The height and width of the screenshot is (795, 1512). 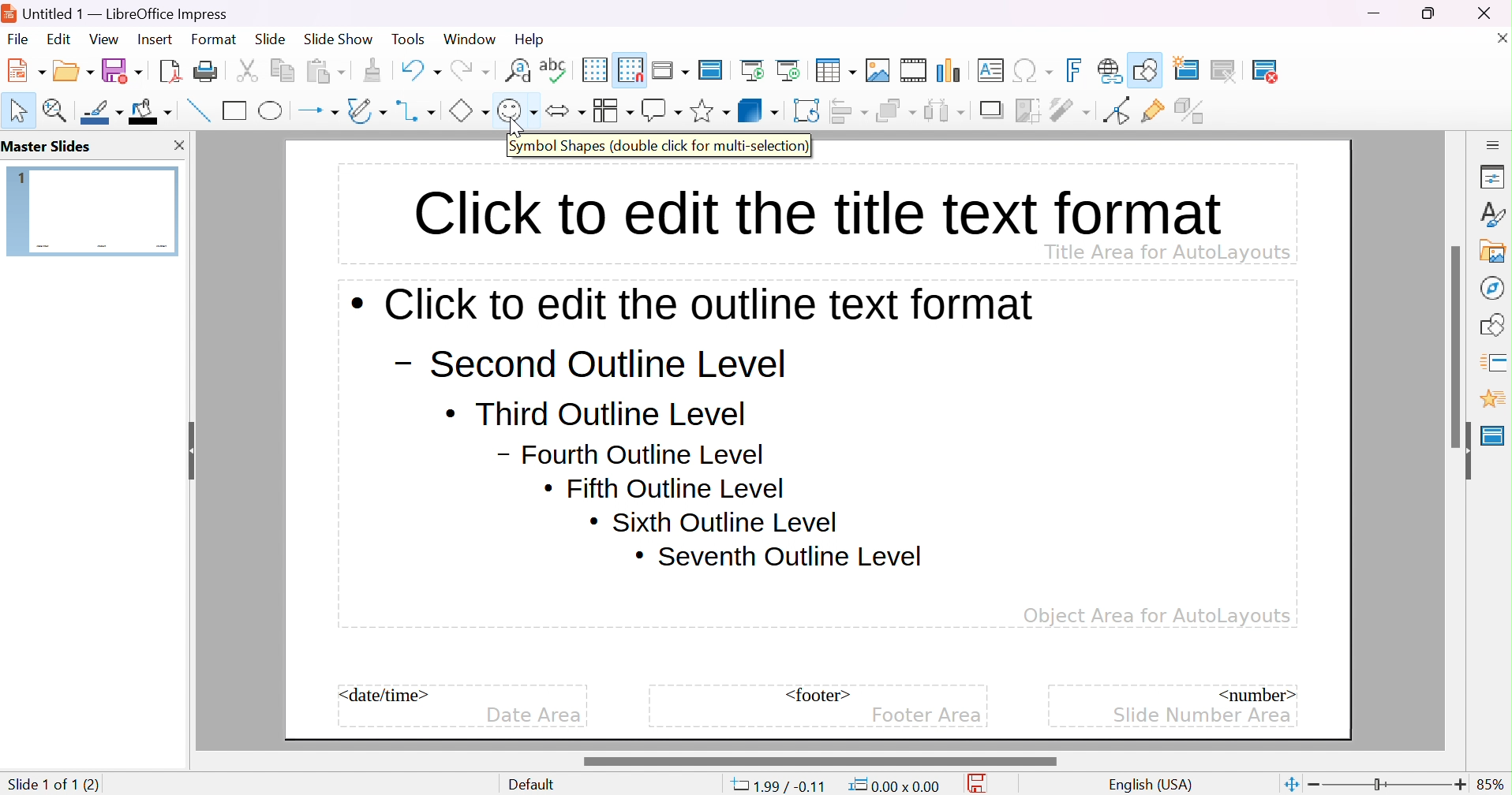 I want to click on insert hyperlink, so click(x=1110, y=70).